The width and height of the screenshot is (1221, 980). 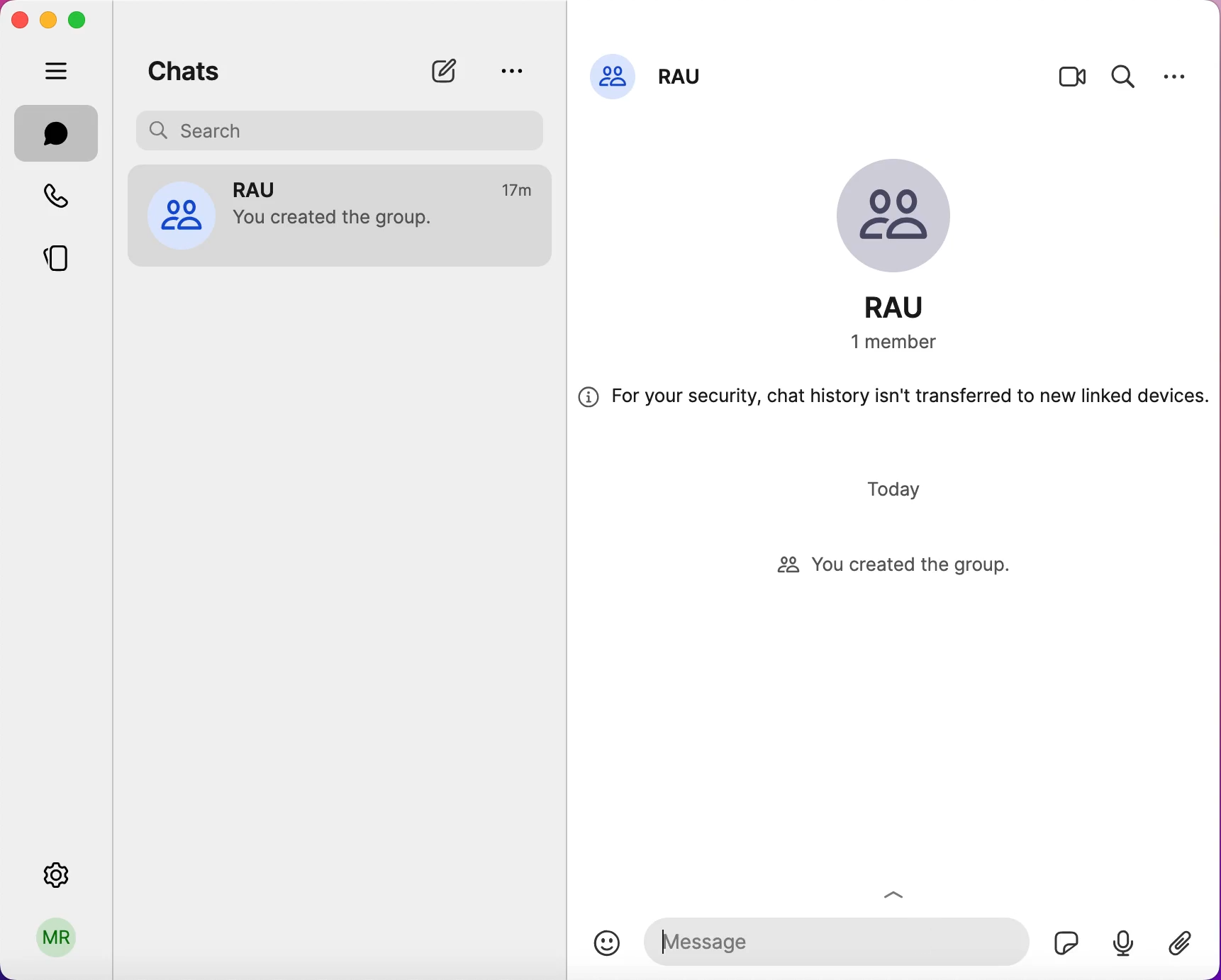 I want to click on calls, so click(x=65, y=199).